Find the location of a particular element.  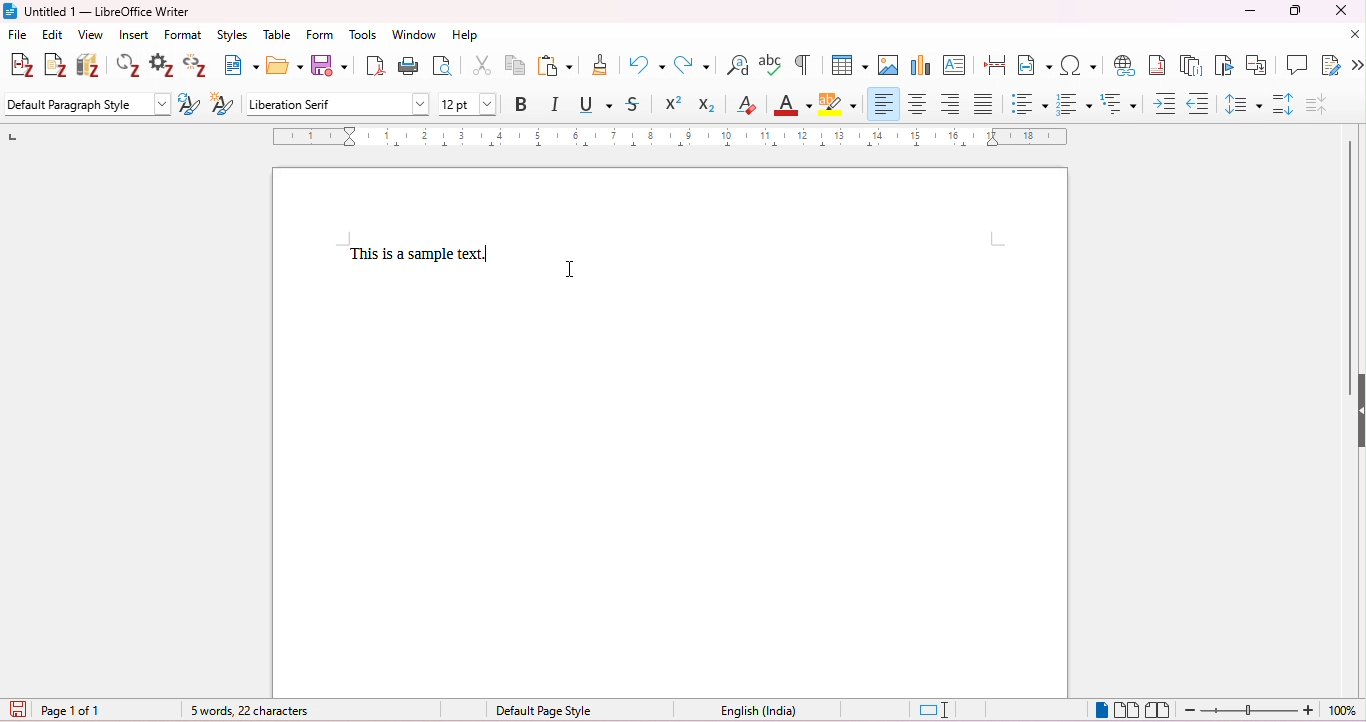

default page style is located at coordinates (543, 711).